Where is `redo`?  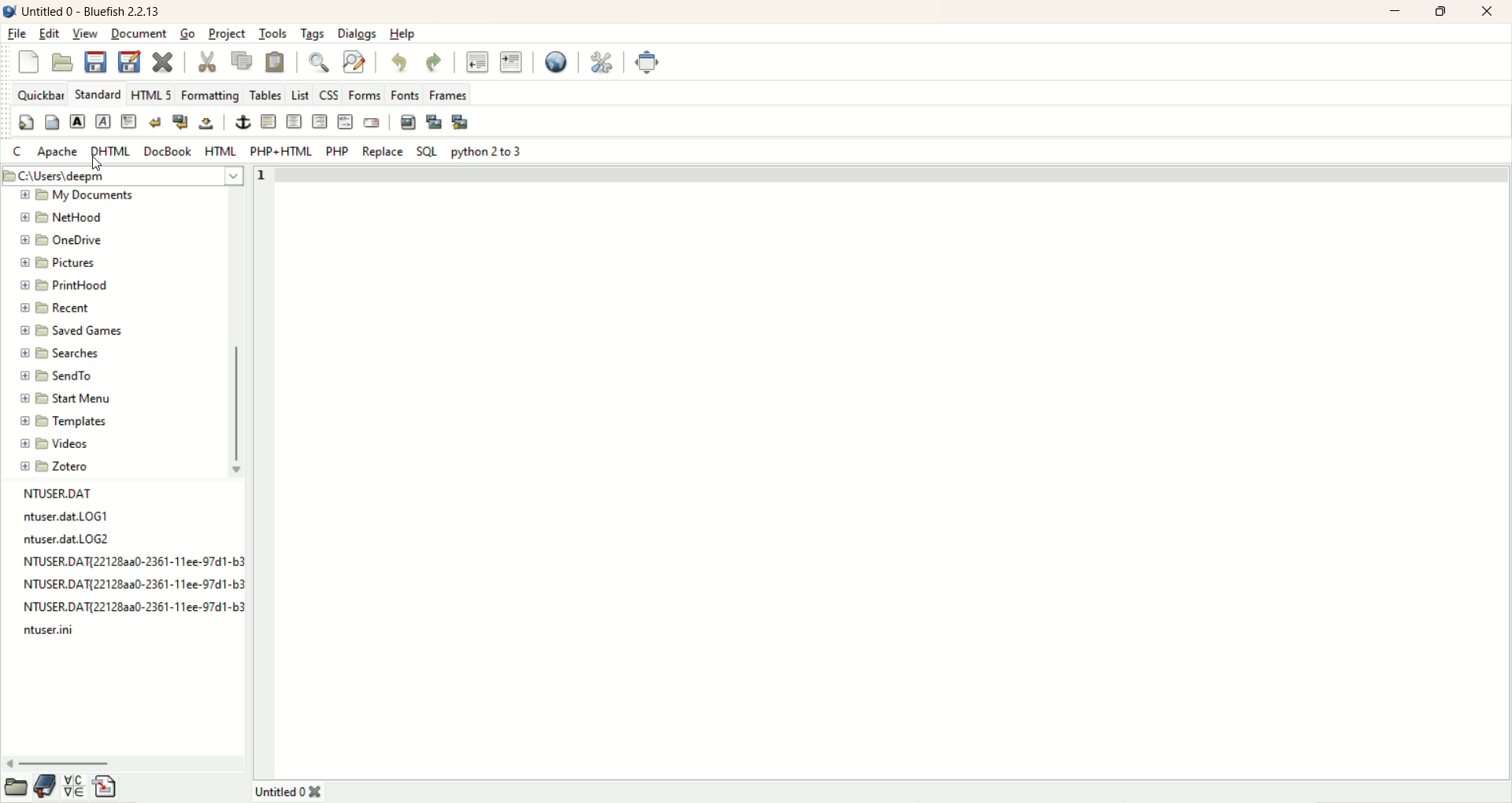 redo is located at coordinates (434, 63).